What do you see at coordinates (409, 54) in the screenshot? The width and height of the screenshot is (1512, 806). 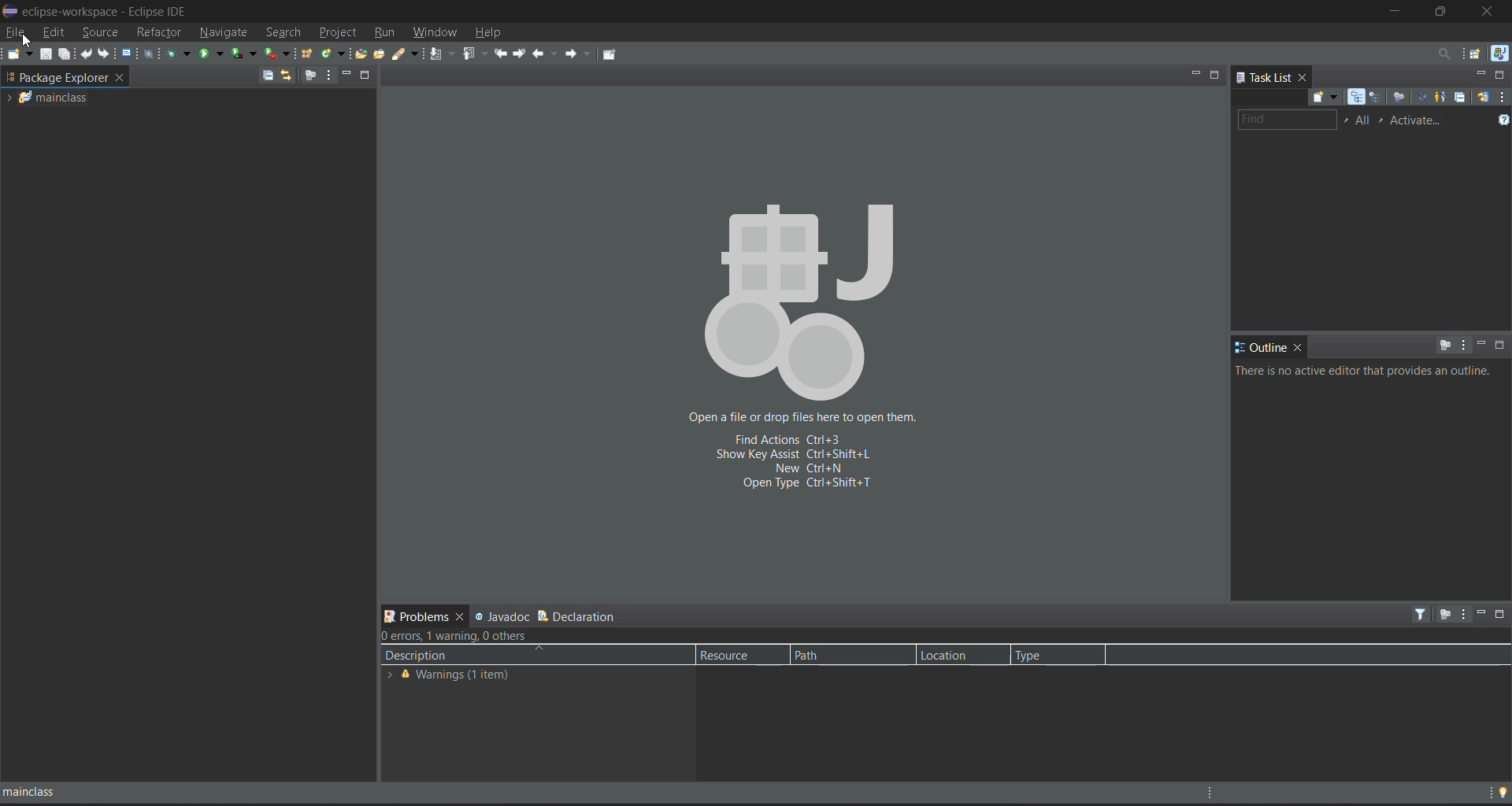 I see `search` at bounding box center [409, 54].